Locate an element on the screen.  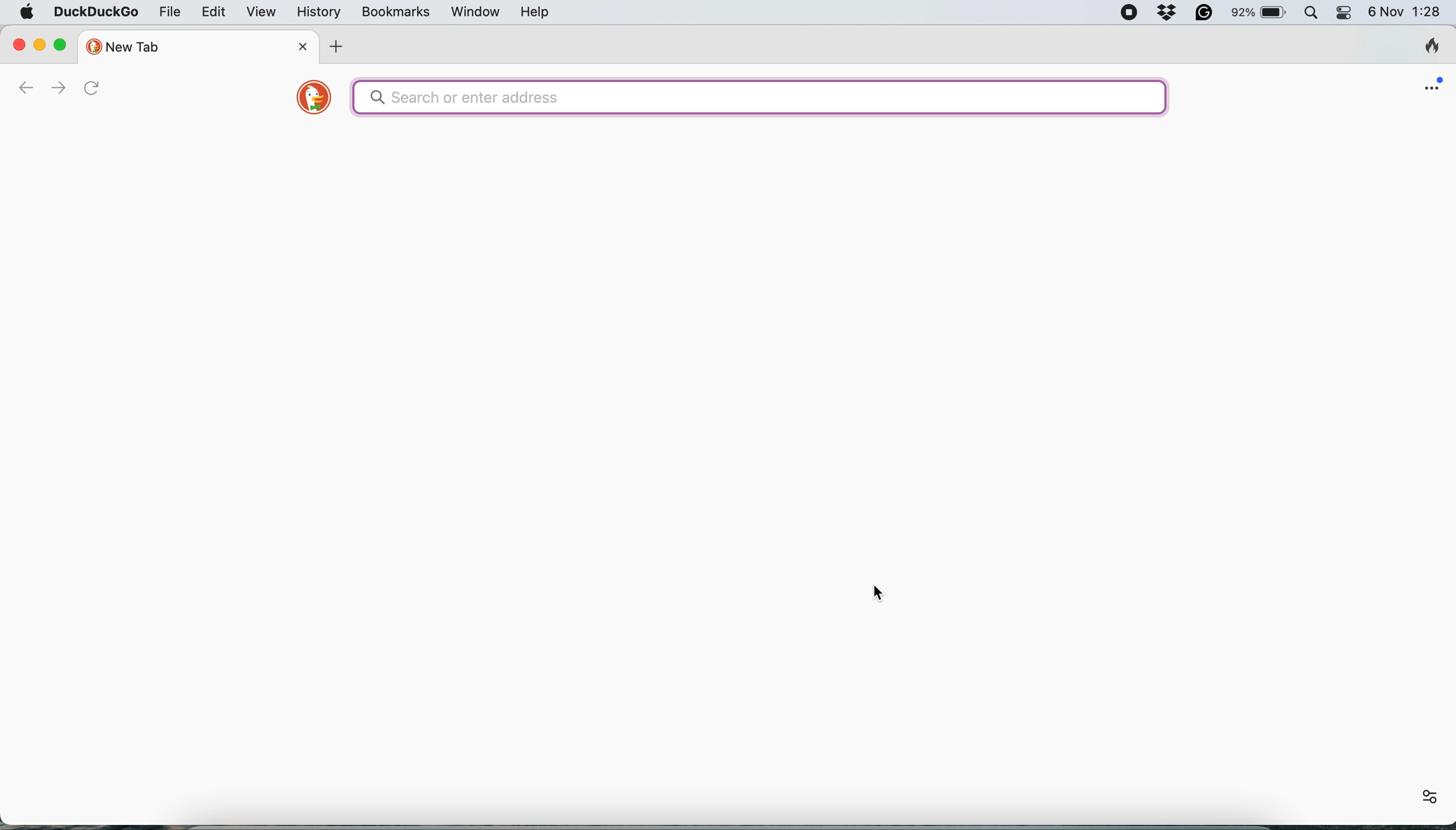
open application menu is located at coordinates (1438, 80).